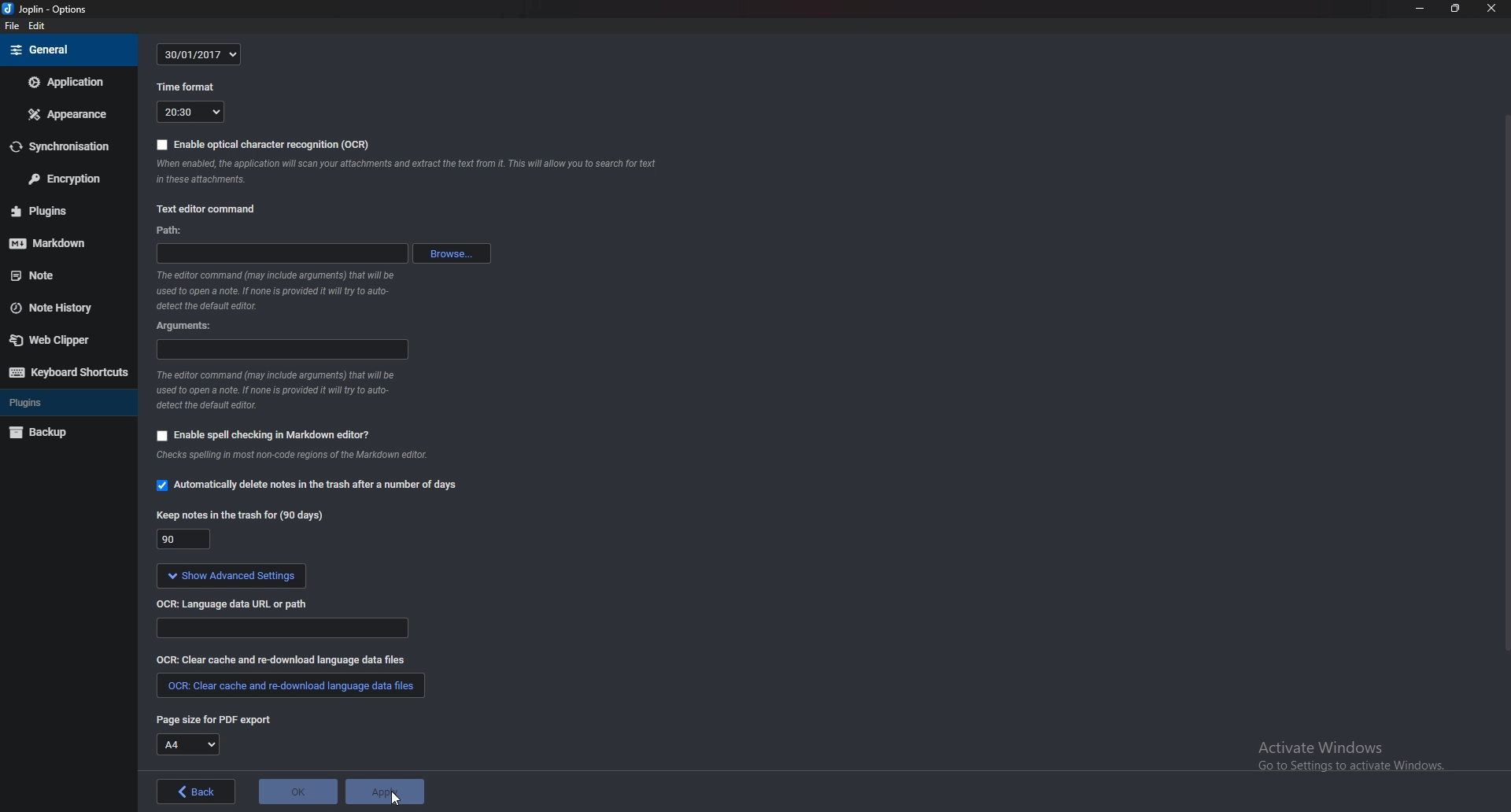 The width and height of the screenshot is (1511, 812). What do you see at coordinates (1339, 758) in the screenshot?
I see `activate windows` at bounding box center [1339, 758].